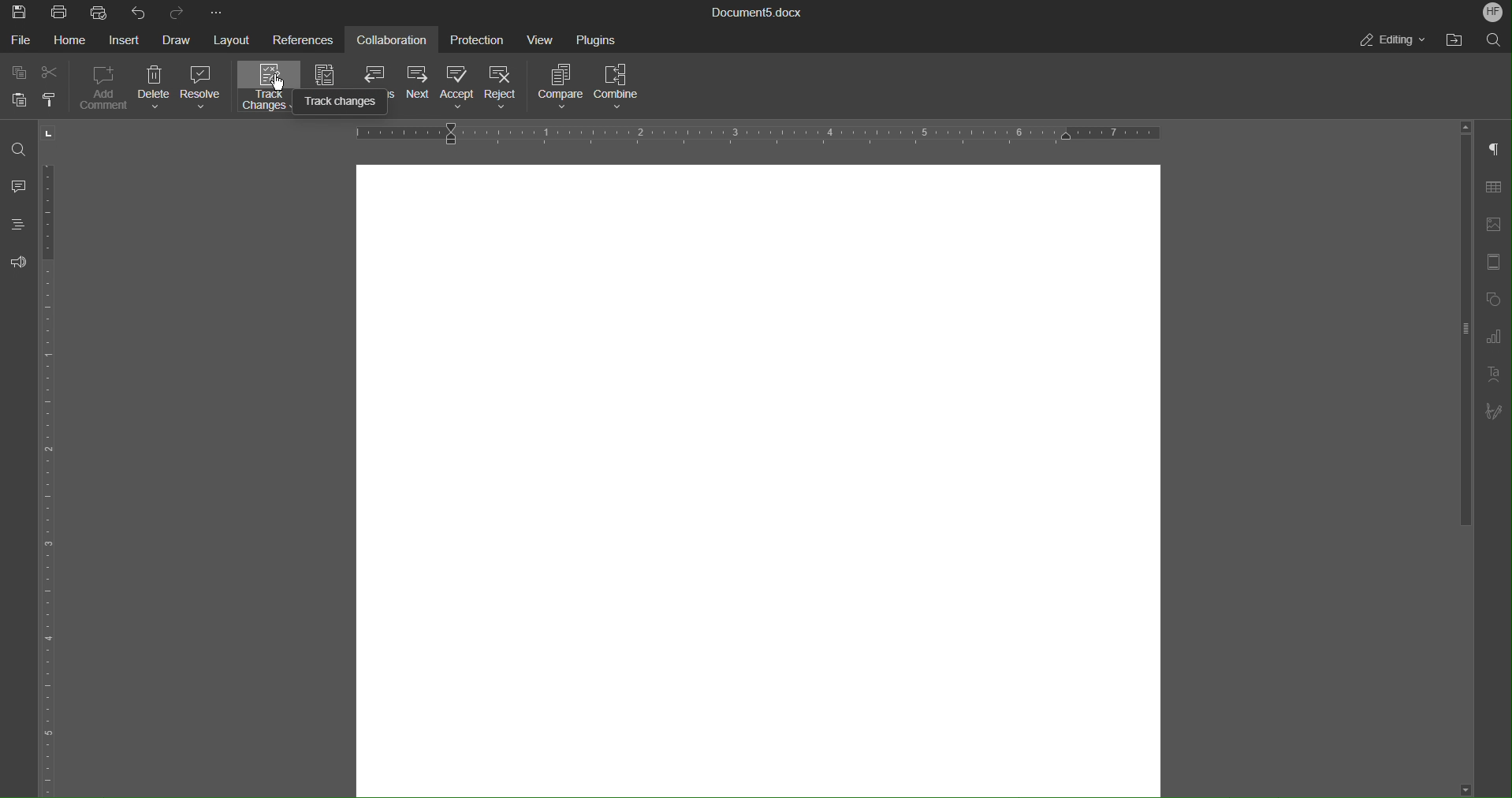 This screenshot has height=798, width=1512. I want to click on track changes, so click(345, 104).